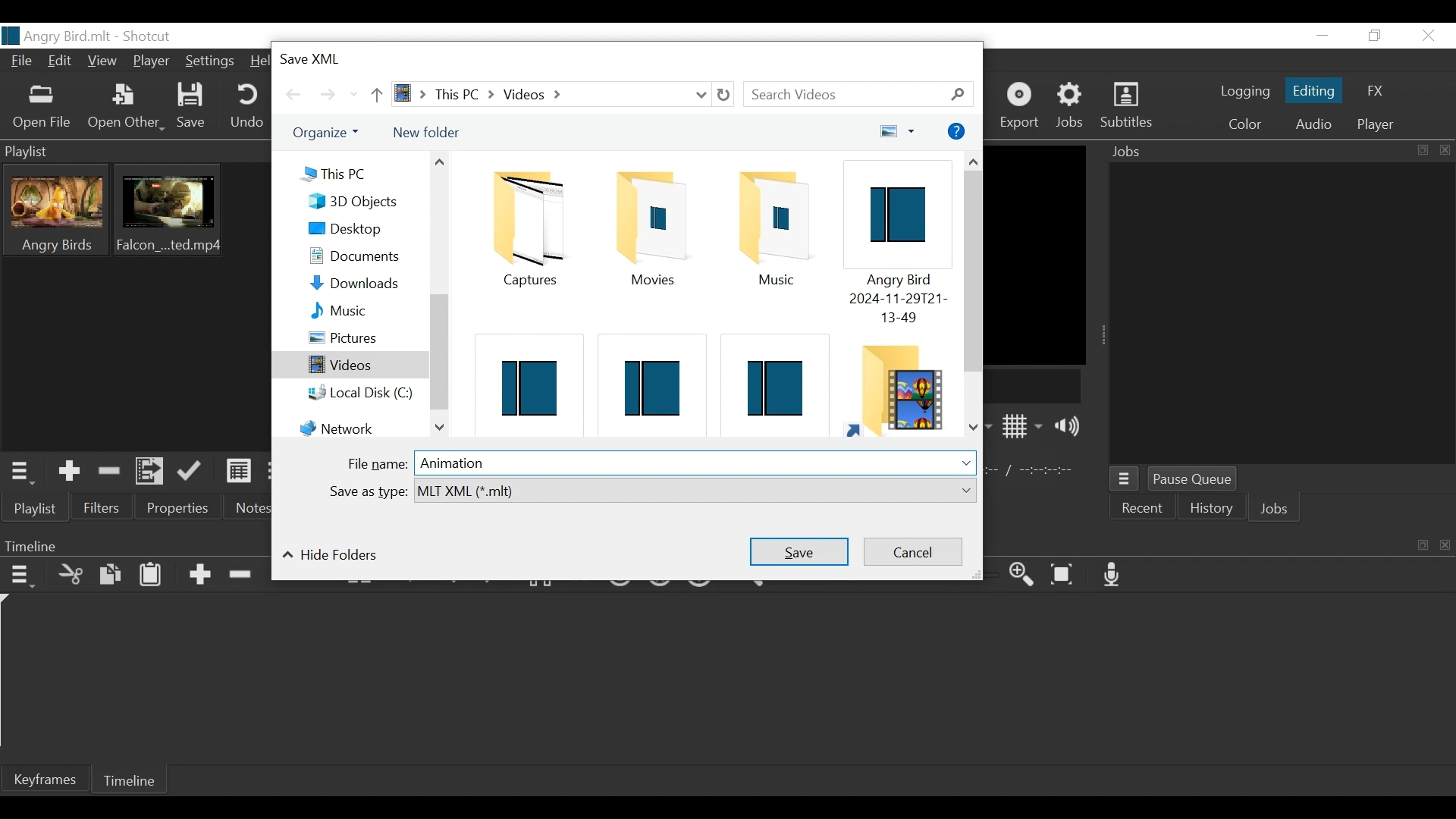  Describe the element at coordinates (350, 365) in the screenshot. I see `Videos` at that location.